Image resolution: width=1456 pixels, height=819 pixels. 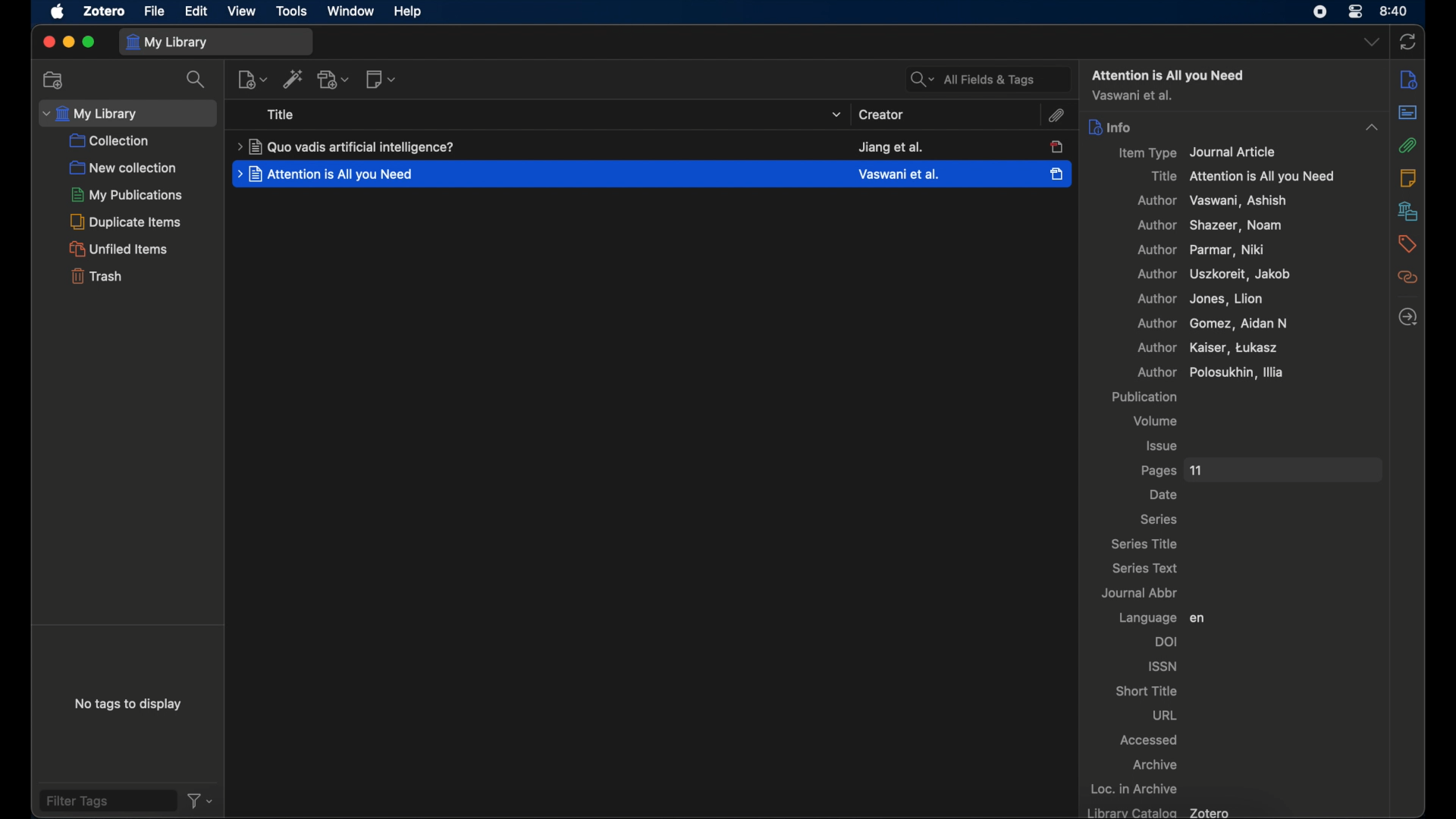 I want to click on notes , so click(x=1410, y=179).